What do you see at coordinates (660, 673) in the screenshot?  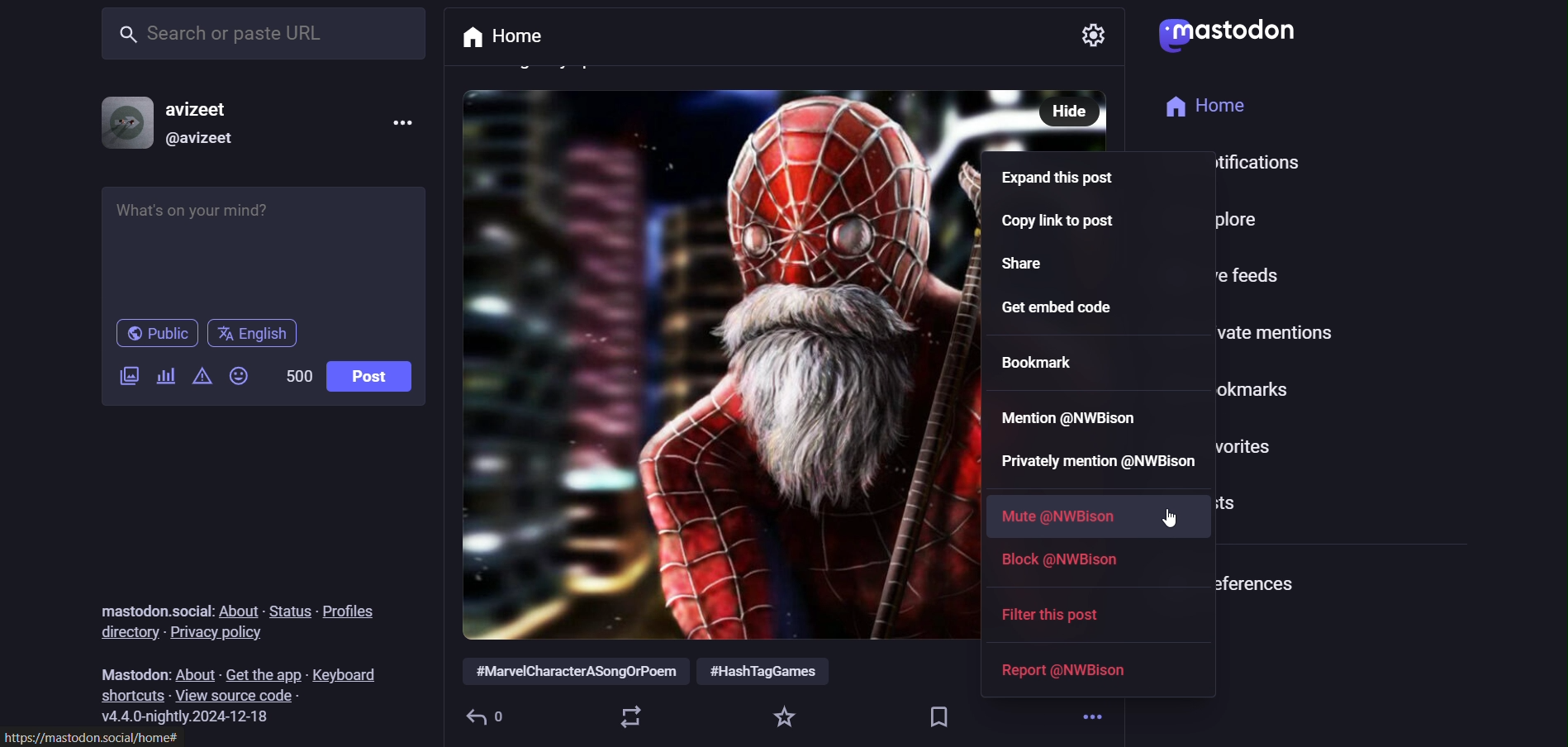 I see `hashtags` at bounding box center [660, 673].